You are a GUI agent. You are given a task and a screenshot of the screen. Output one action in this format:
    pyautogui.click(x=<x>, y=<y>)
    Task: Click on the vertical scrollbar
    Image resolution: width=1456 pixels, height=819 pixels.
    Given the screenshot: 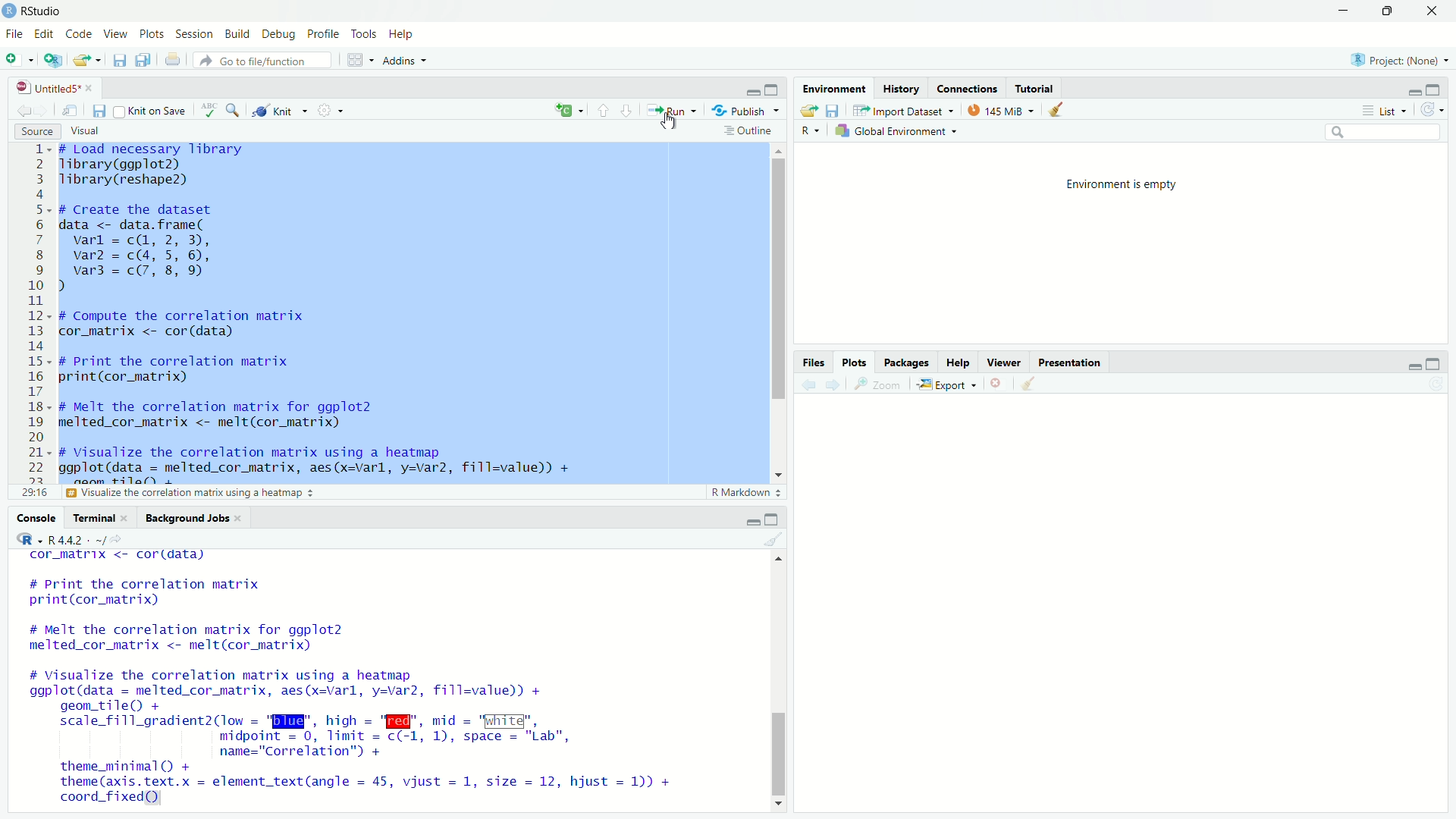 What is the action you would take?
    pyautogui.click(x=780, y=756)
    